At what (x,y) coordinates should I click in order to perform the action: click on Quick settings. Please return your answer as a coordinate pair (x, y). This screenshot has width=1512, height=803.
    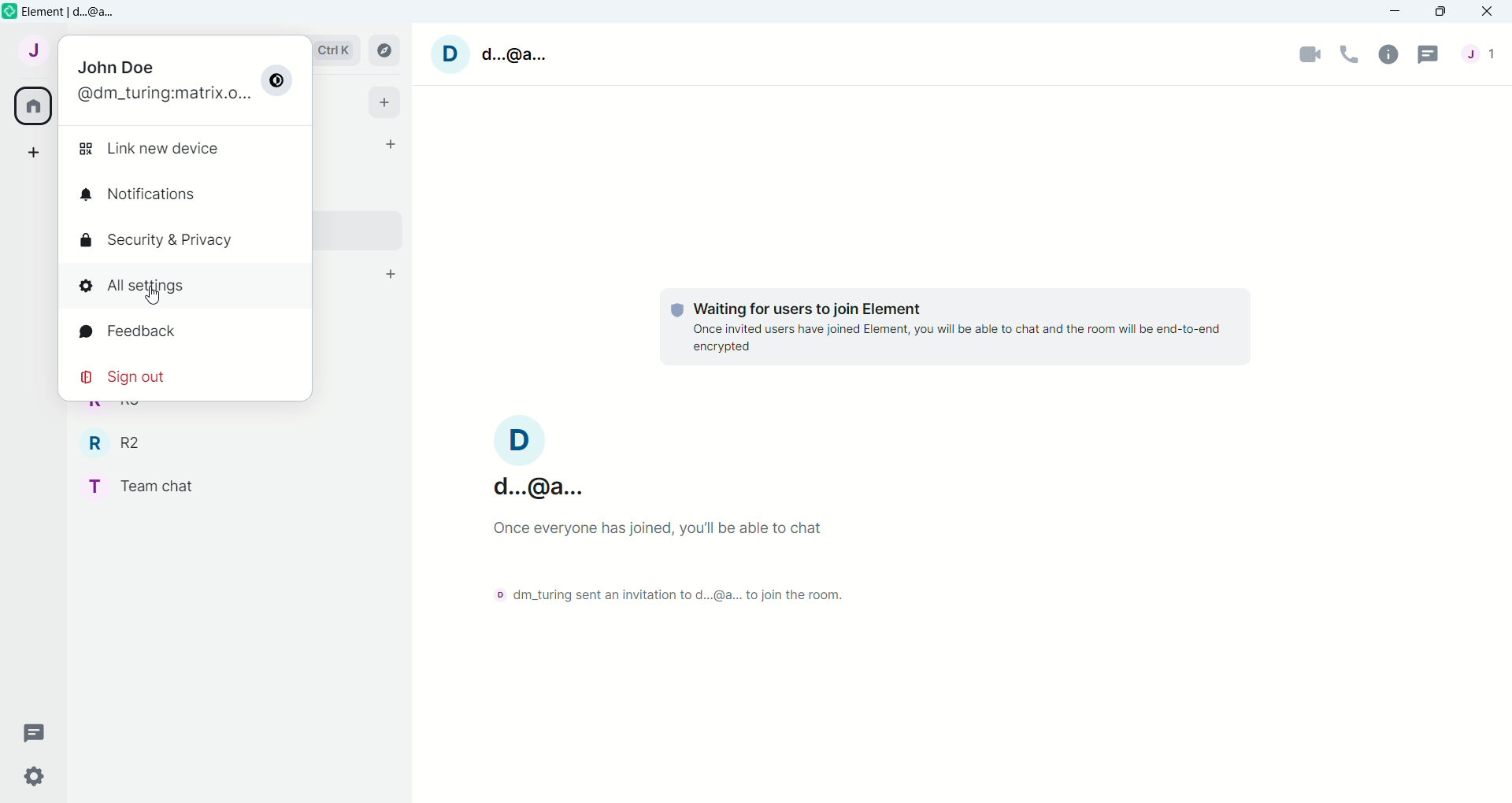
    Looking at the image, I should click on (43, 775).